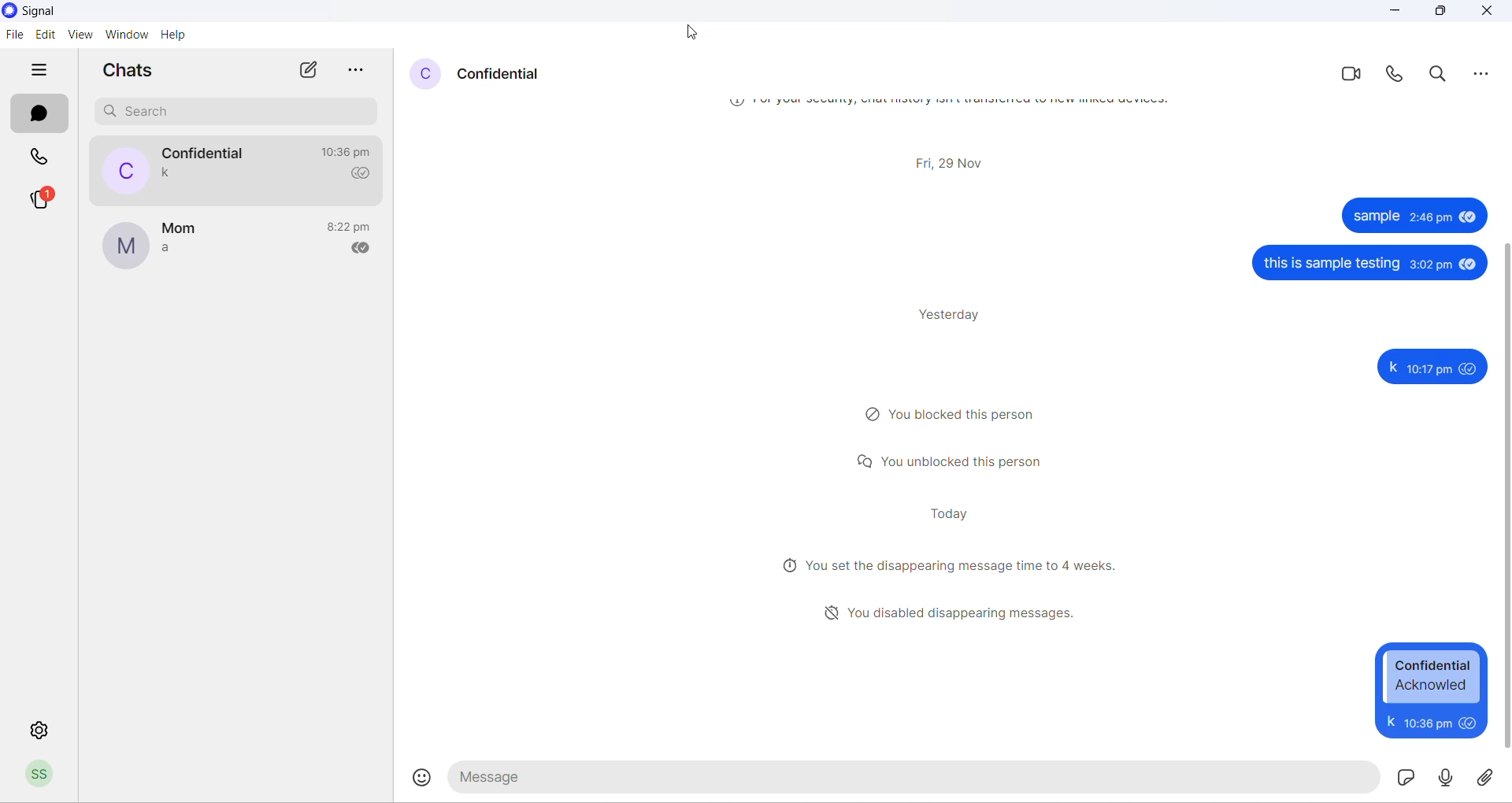 The height and width of the screenshot is (803, 1512). Describe the element at coordinates (127, 70) in the screenshot. I see `chats heading` at that location.